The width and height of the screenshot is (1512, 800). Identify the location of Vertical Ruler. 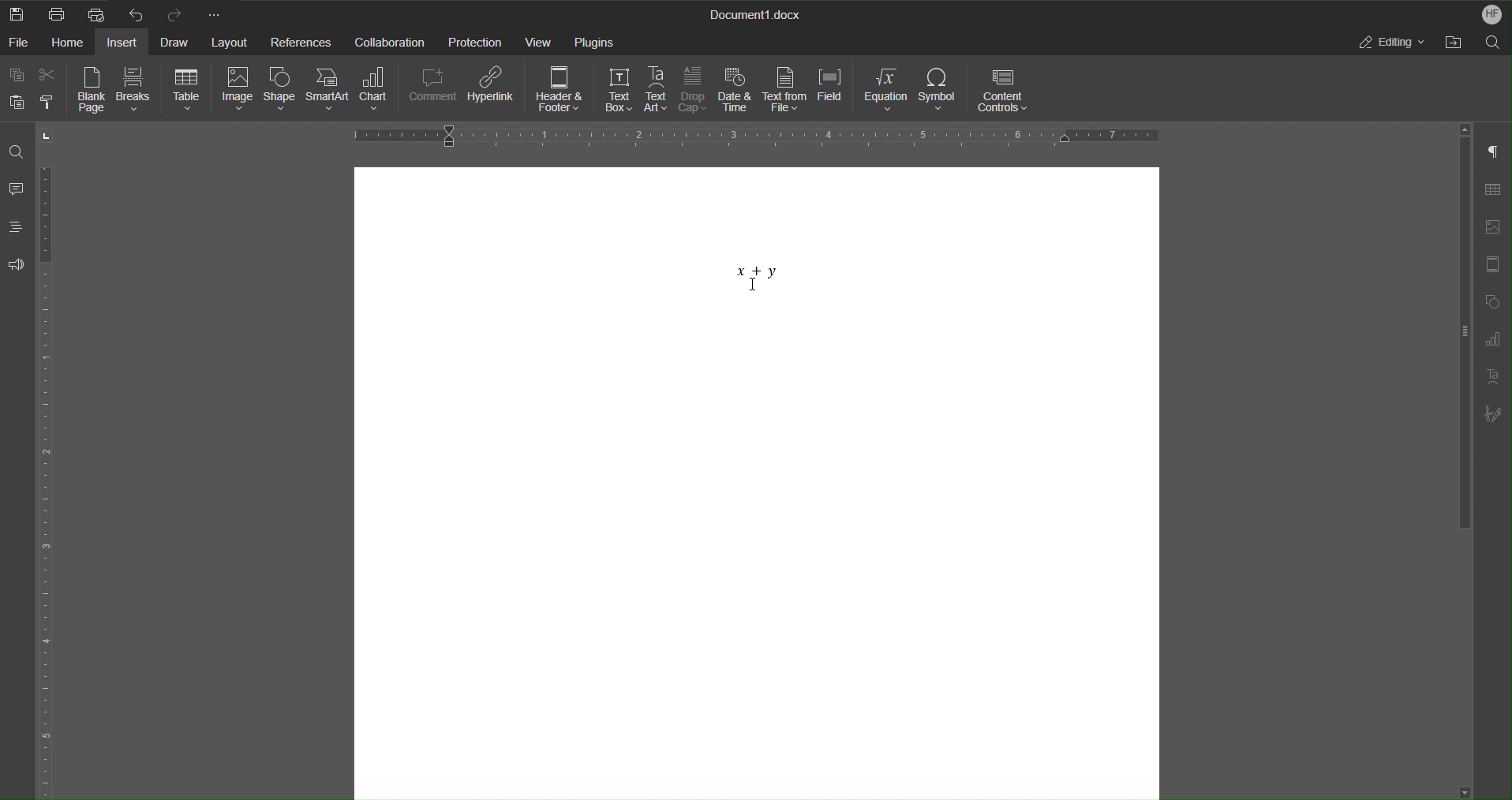
(42, 480).